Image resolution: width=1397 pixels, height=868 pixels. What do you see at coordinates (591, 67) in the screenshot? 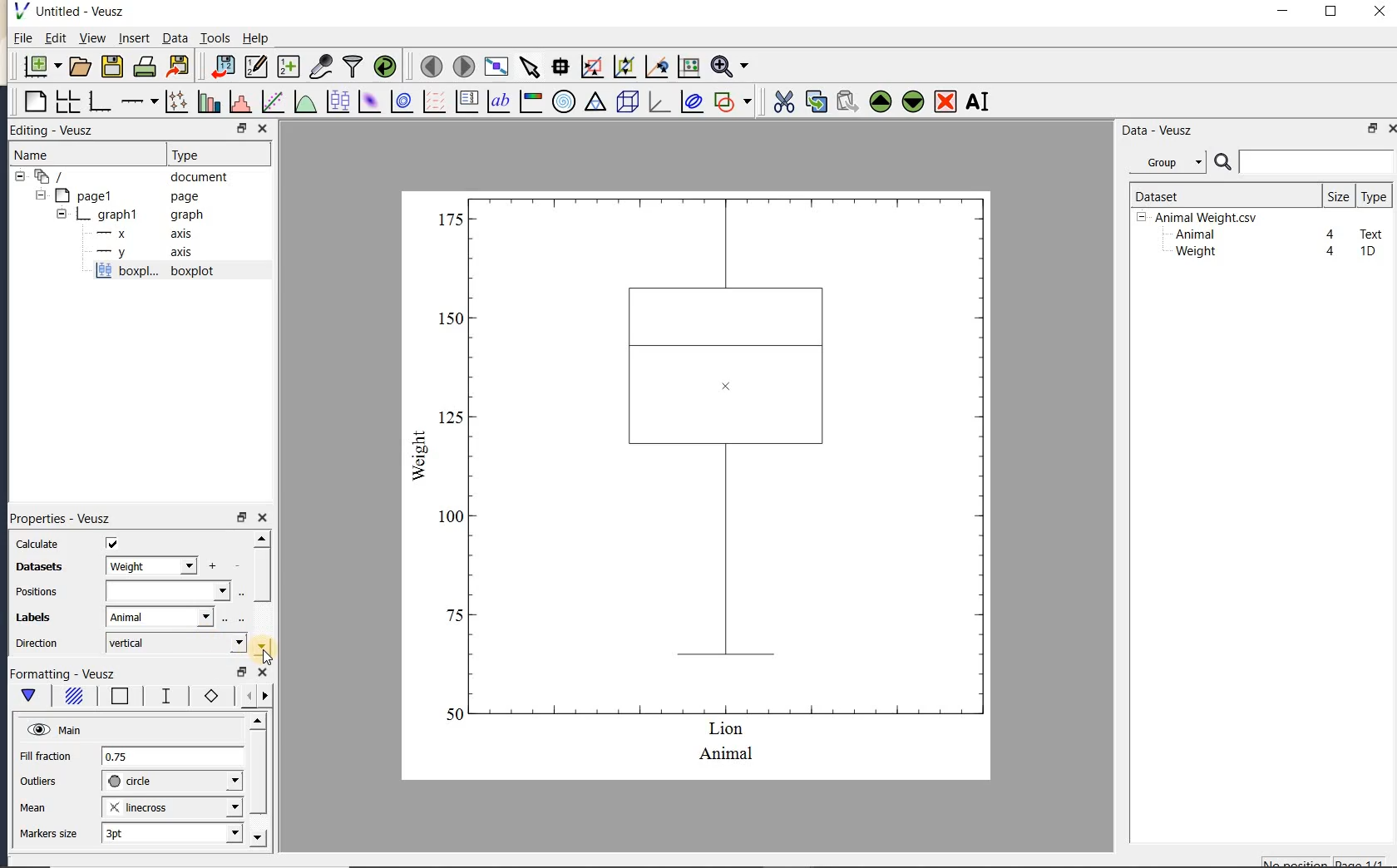
I see `click or draw a rectangle to zoom graph axes` at bounding box center [591, 67].